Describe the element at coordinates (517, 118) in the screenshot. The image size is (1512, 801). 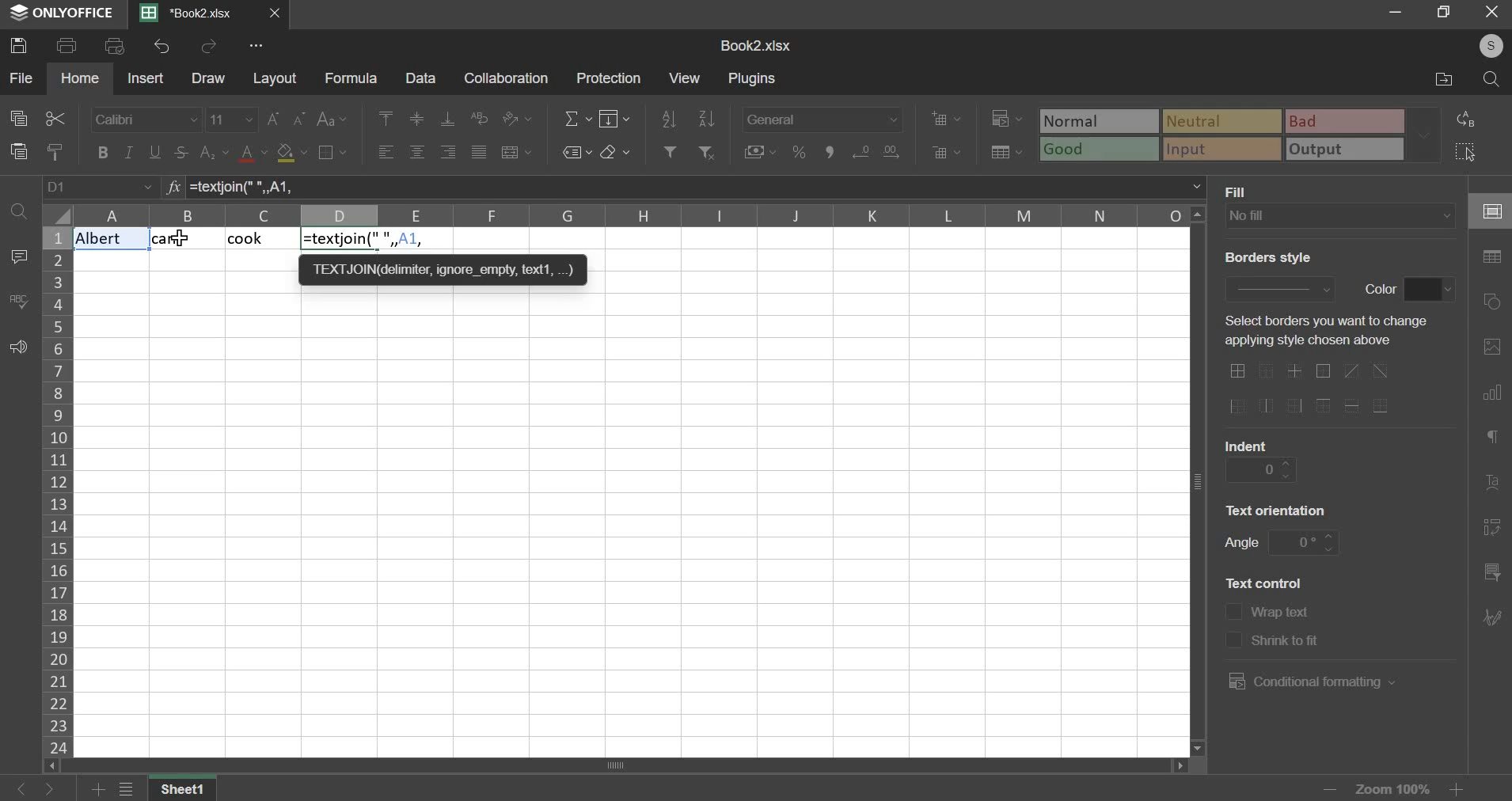
I see `orientation` at that location.